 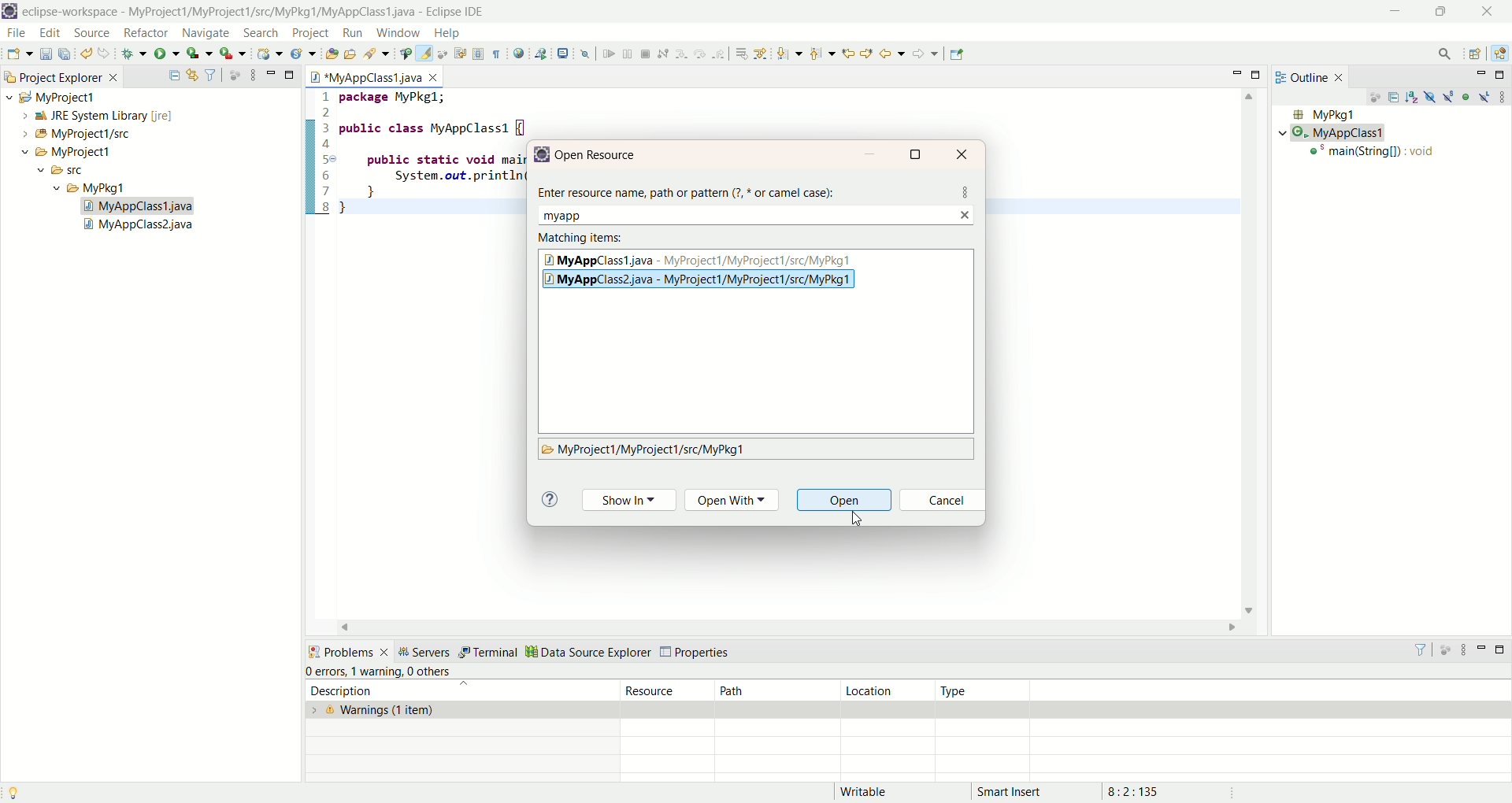 What do you see at coordinates (1395, 99) in the screenshot?
I see `collapse all` at bounding box center [1395, 99].